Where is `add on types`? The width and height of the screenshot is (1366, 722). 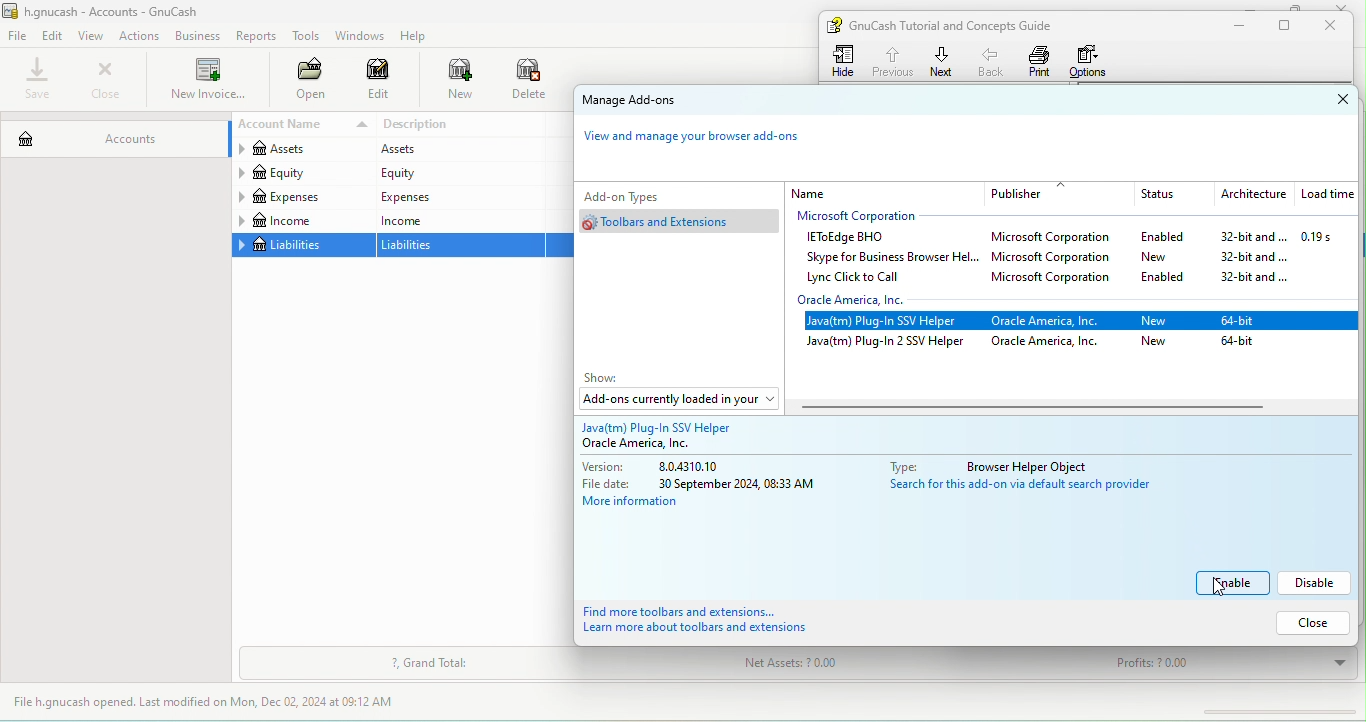
add on types is located at coordinates (654, 195).